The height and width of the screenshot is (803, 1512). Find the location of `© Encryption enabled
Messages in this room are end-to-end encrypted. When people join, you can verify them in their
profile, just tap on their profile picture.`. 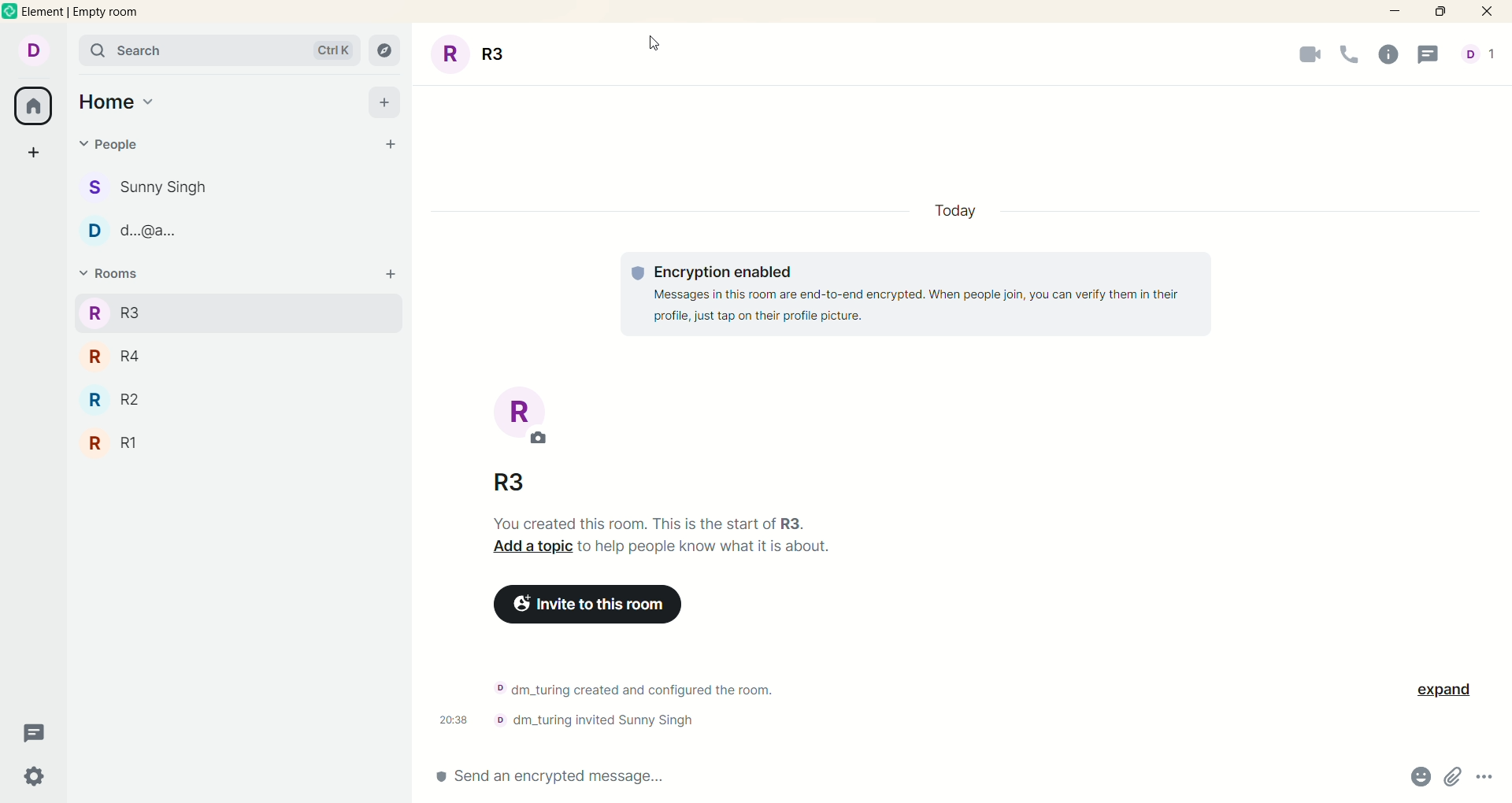

© Encryption enabled
Messages in this room are end-to-end encrypted. When people join, you can verify them in their
profile, just tap on their profile picture. is located at coordinates (912, 294).